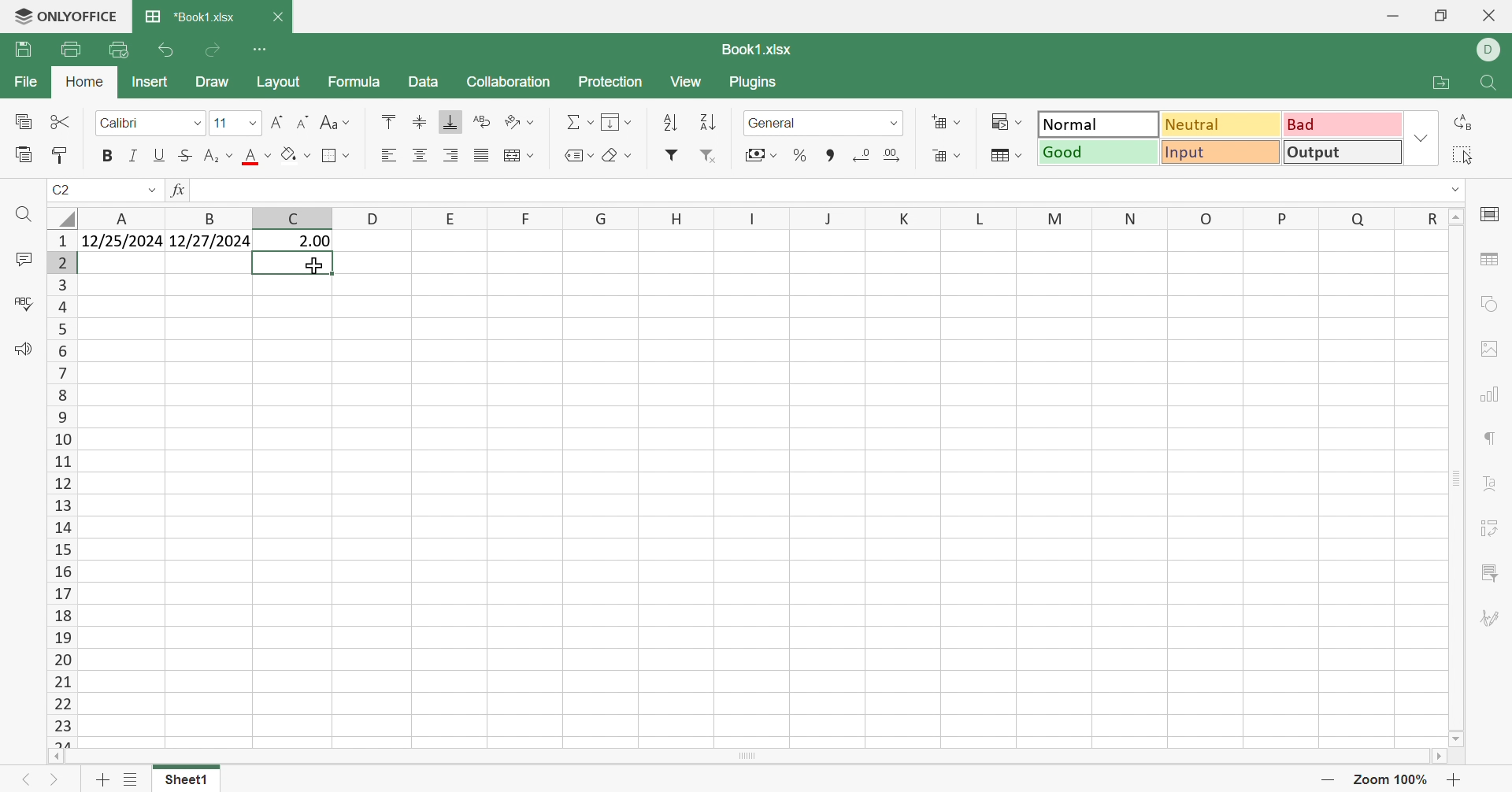 Image resolution: width=1512 pixels, height=792 pixels. I want to click on Align Left, so click(389, 156).